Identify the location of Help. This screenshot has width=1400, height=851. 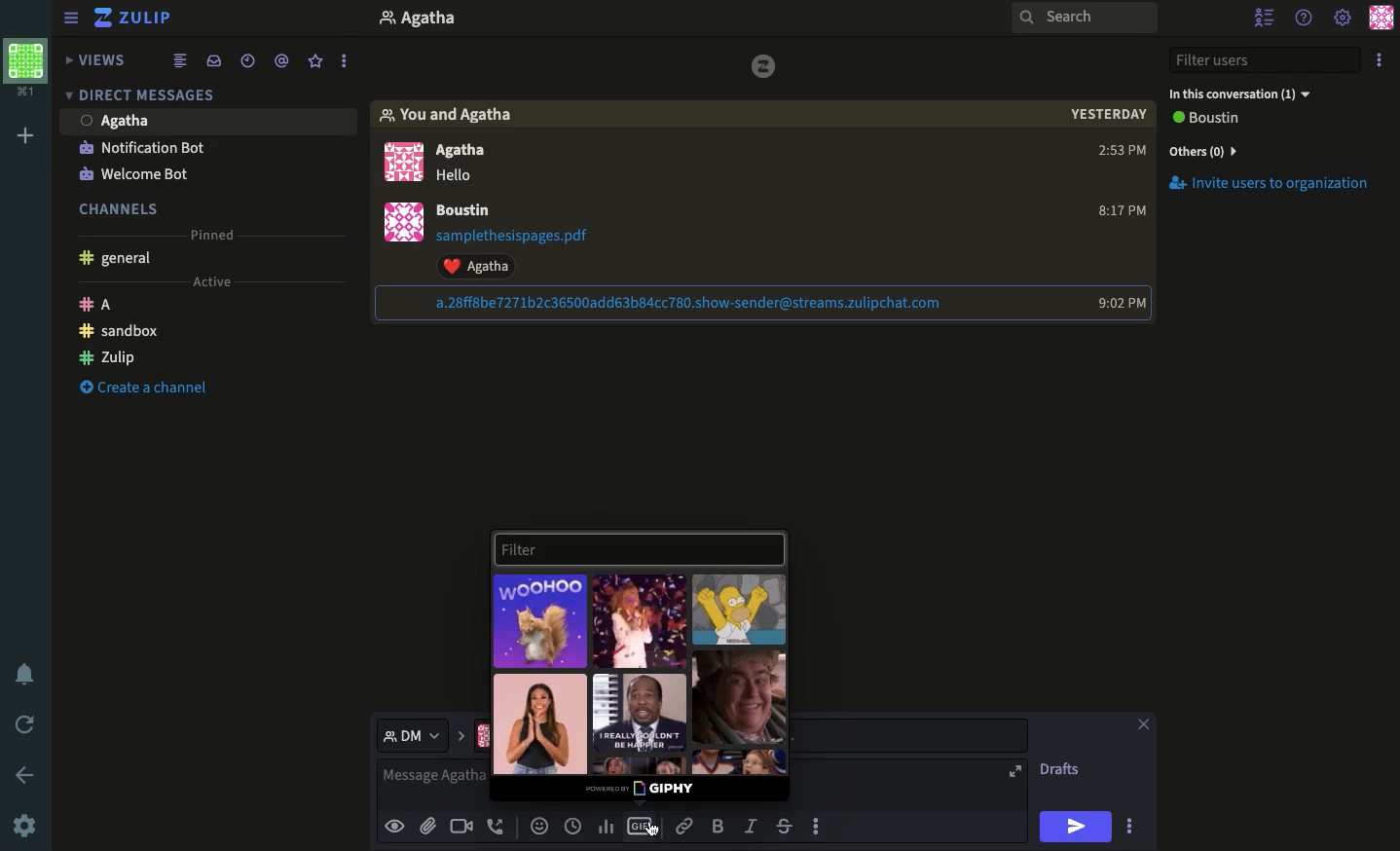
(1306, 18).